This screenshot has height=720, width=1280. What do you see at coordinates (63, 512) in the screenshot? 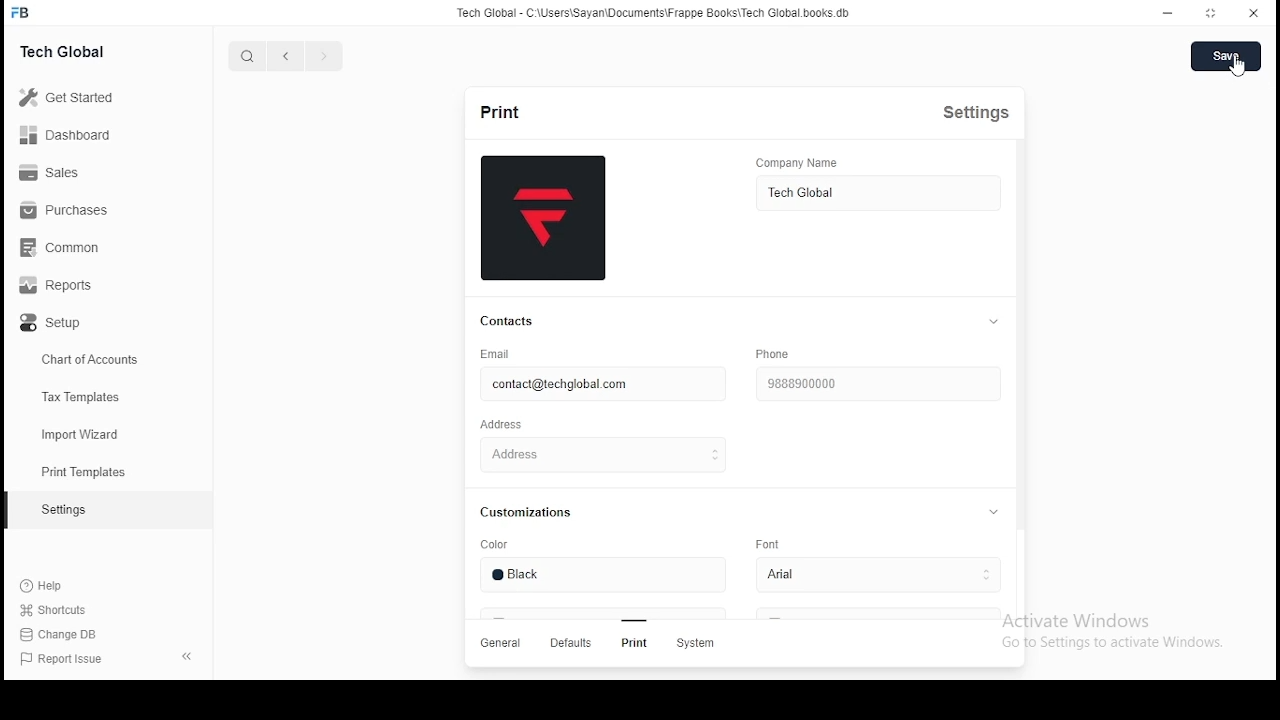
I see `Settings ` at bounding box center [63, 512].